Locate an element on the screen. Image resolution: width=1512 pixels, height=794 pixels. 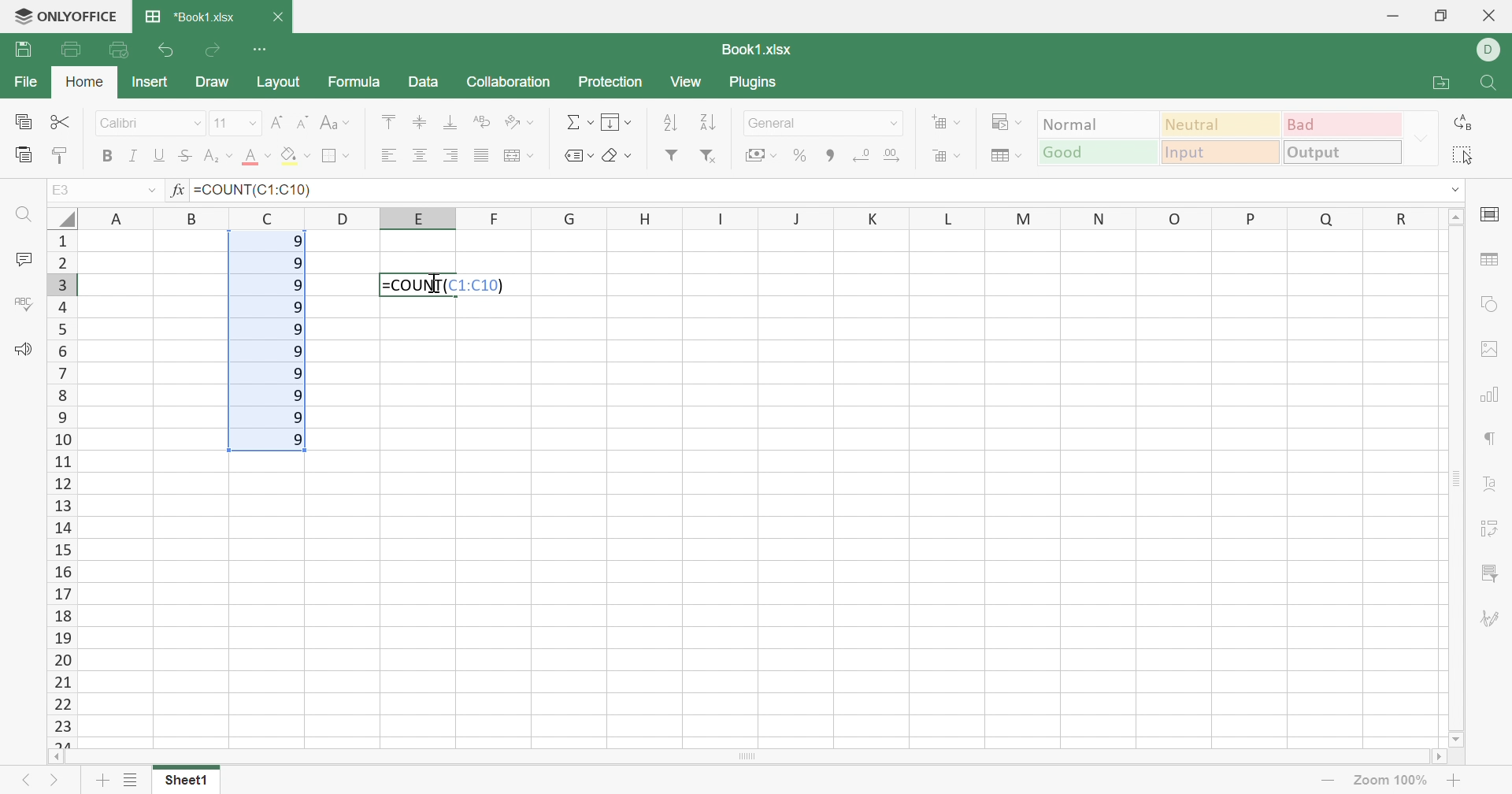
Scroll Right is located at coordinates (1440, 759).